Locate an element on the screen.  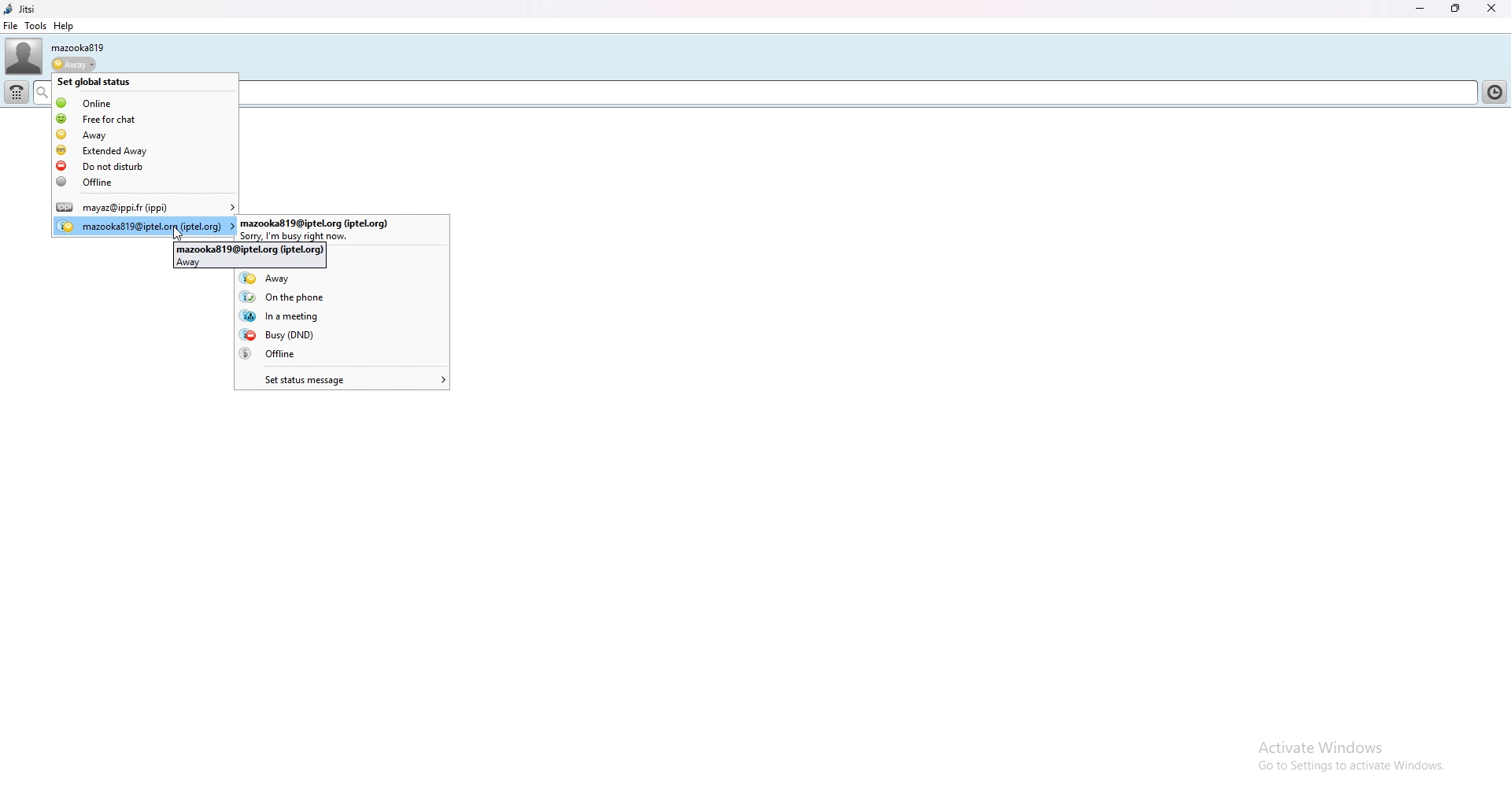
busy is located at coordinates (341, 335).